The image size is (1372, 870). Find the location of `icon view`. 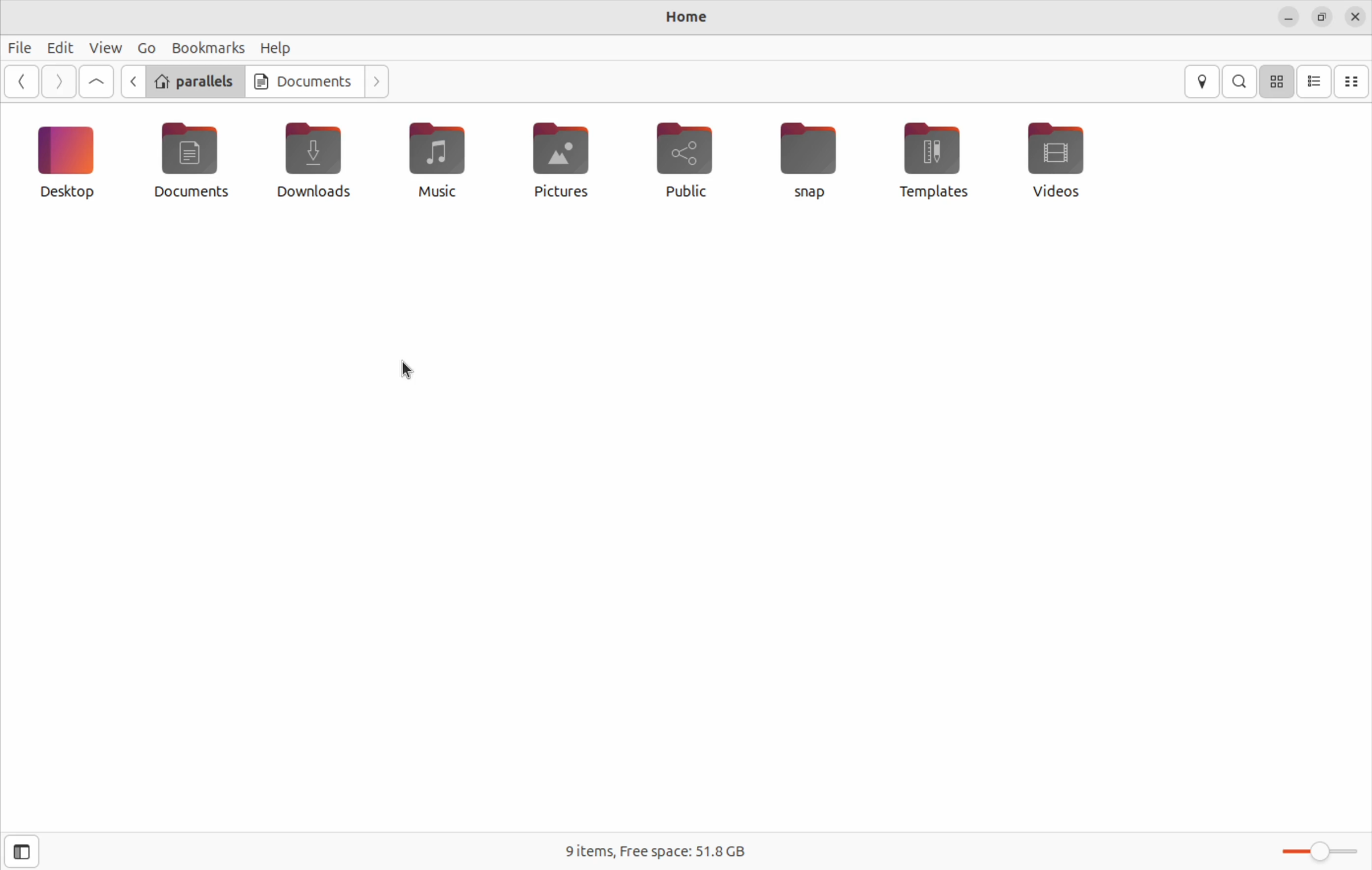

icon view is located at coordinates (1278, 81).